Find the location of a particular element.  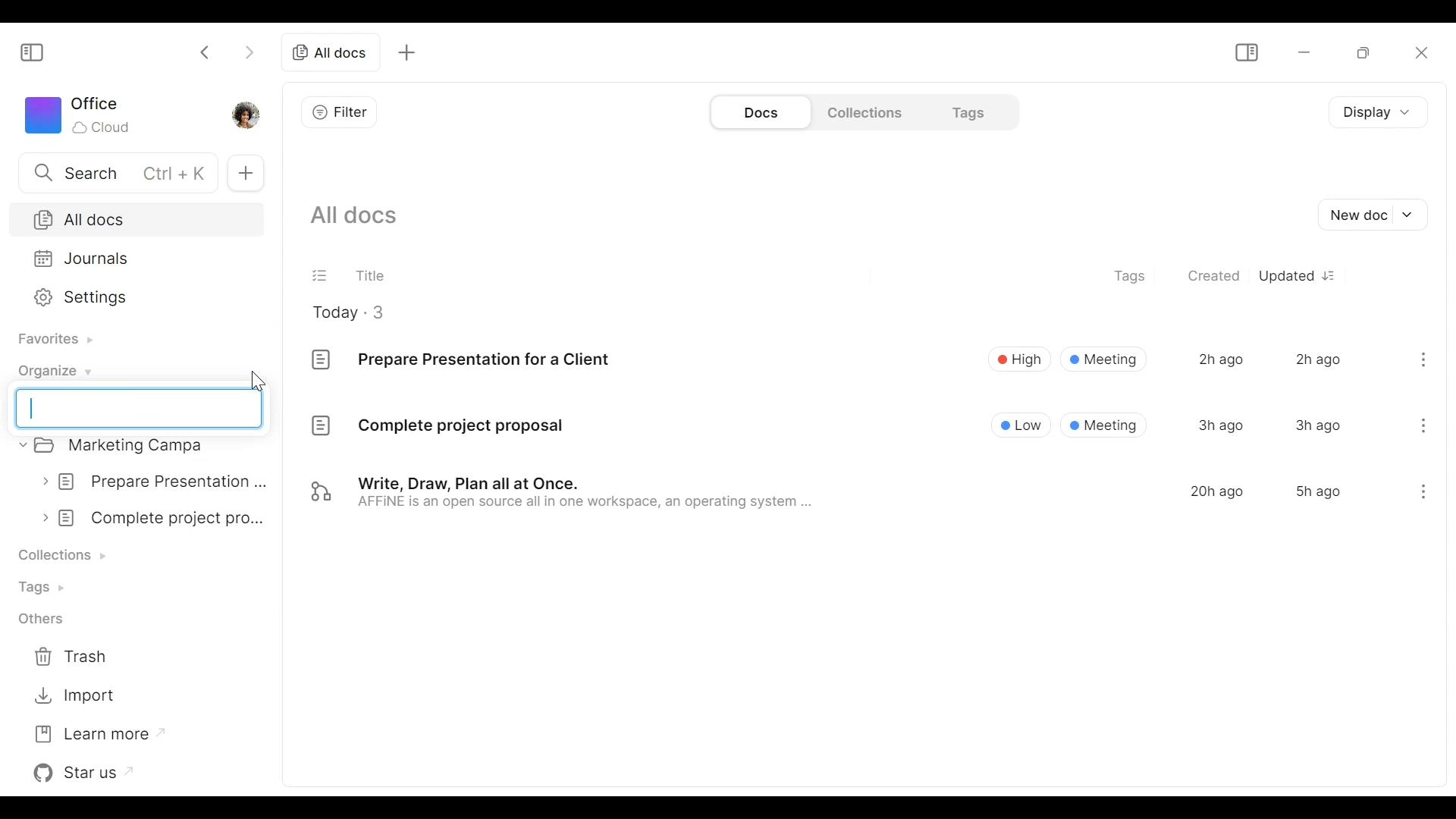

New document is located at coordinates (1376, 215).